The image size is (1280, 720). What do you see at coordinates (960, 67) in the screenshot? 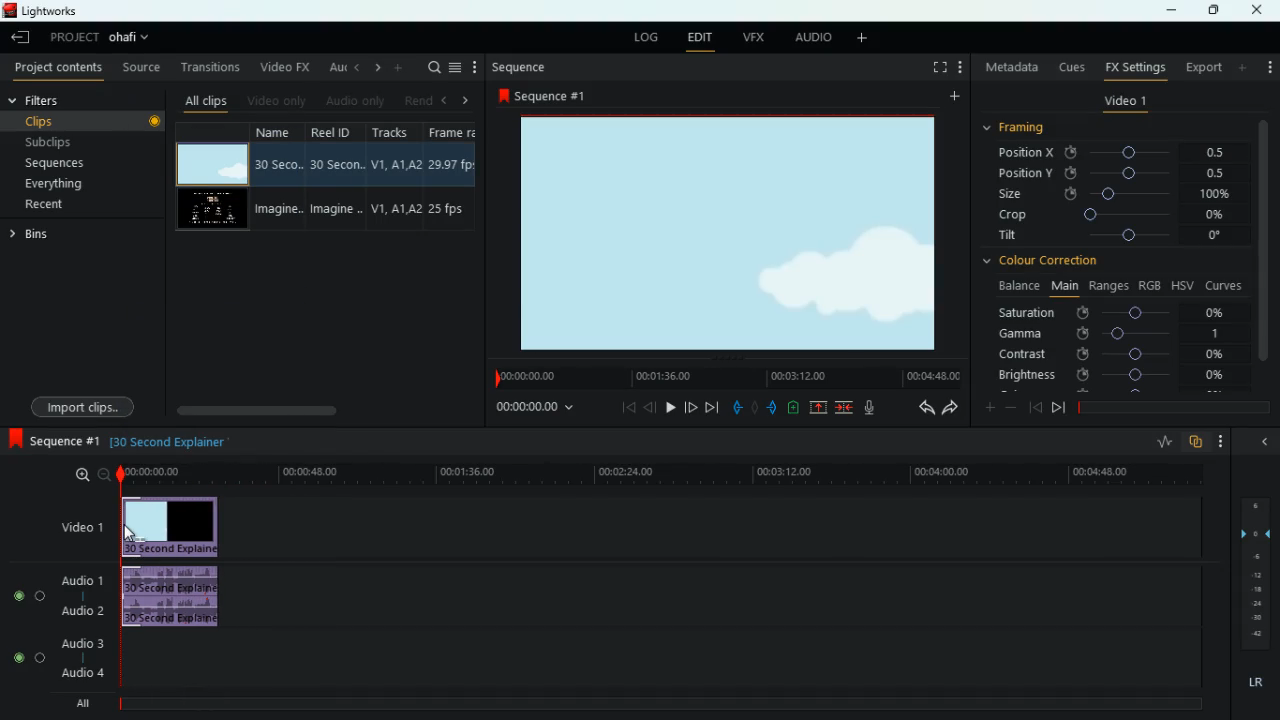
I see `add` at bounding box center [960, 67].